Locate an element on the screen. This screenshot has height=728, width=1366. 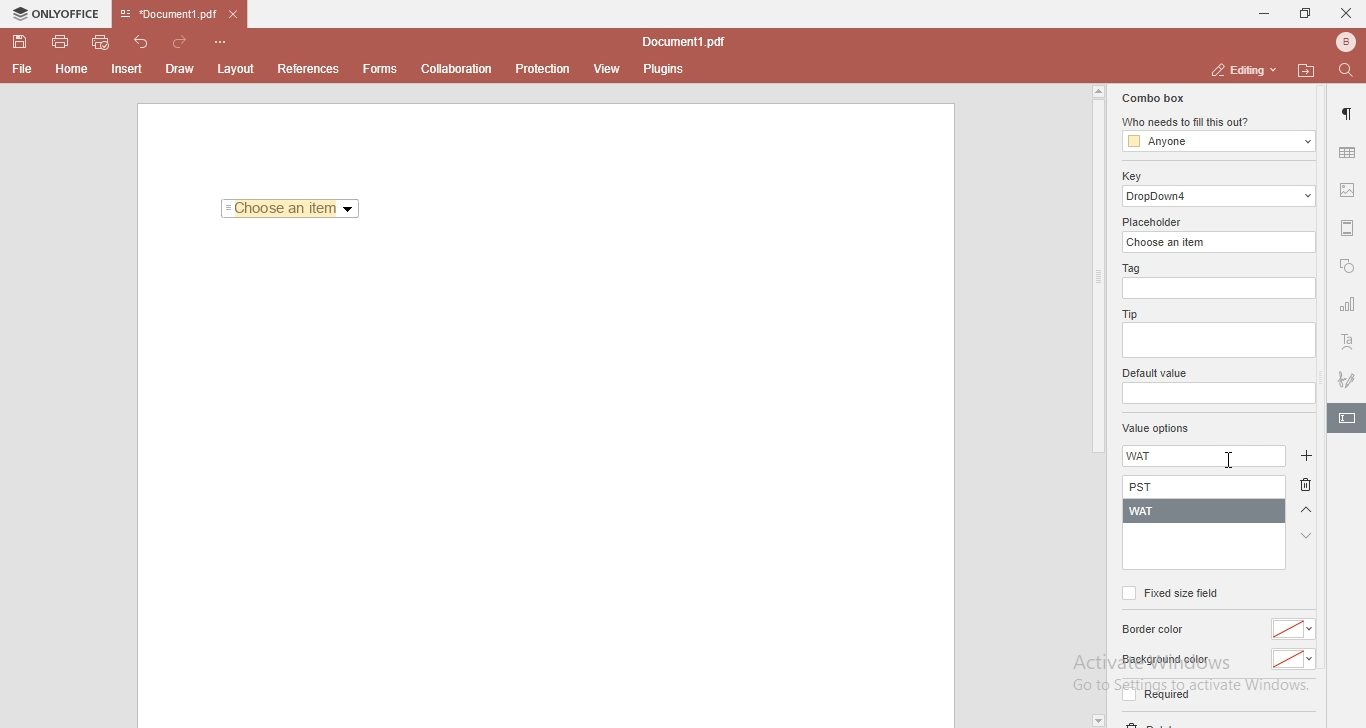
cursor is located at coordinates (1235, 459).